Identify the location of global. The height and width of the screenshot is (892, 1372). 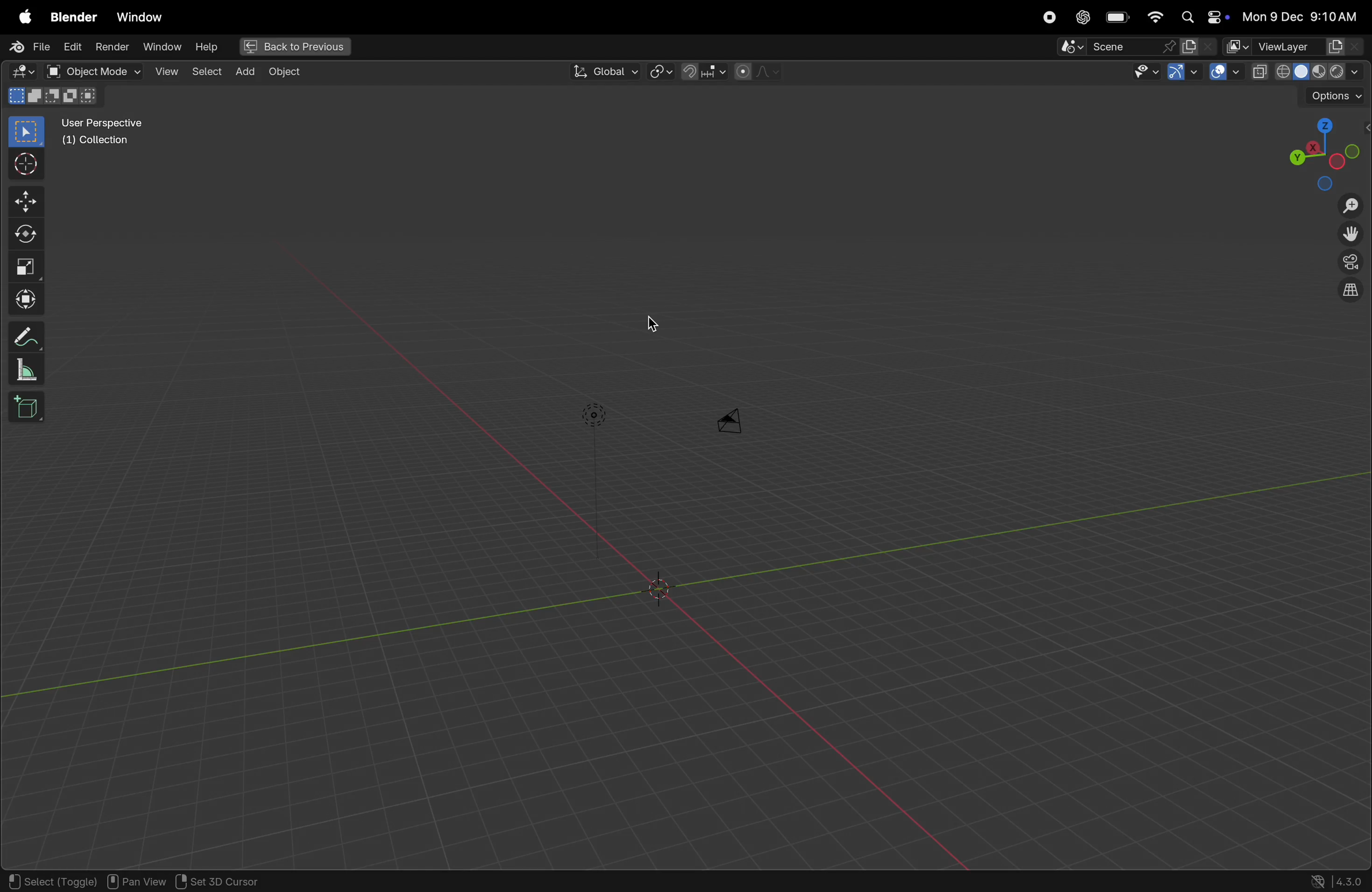
(602, 72).